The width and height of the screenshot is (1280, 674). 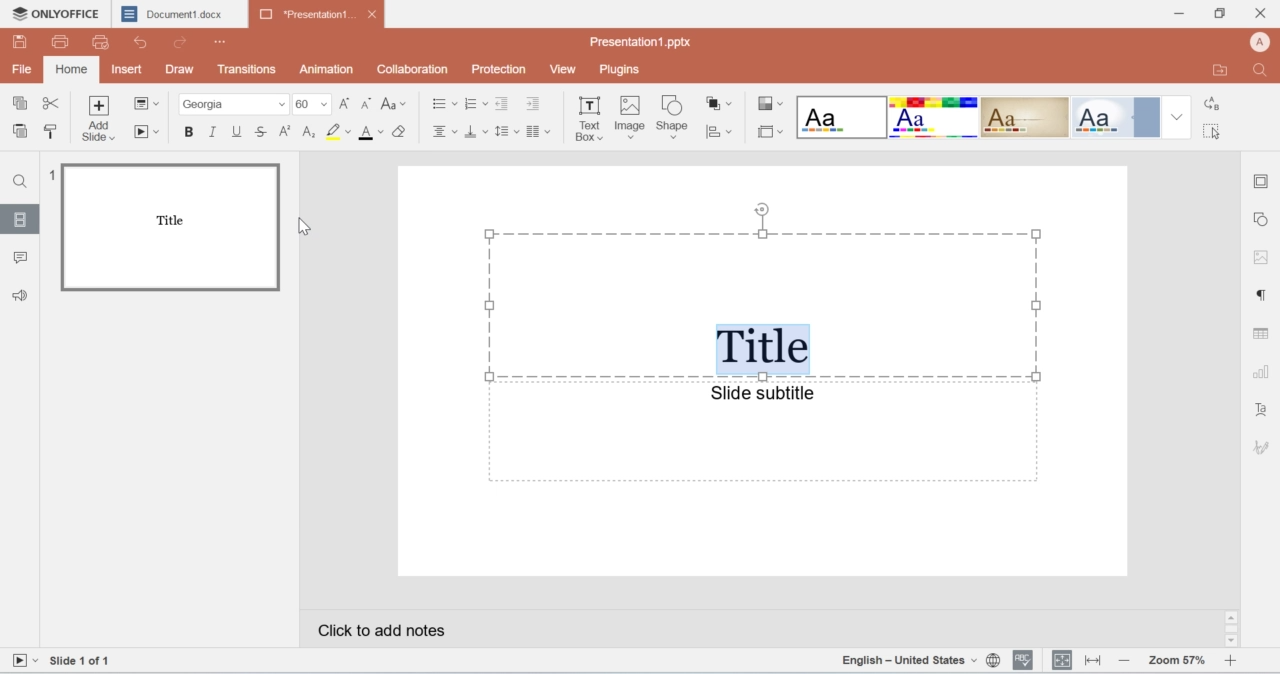 I want to click on indent, so click(x=504, y=104).